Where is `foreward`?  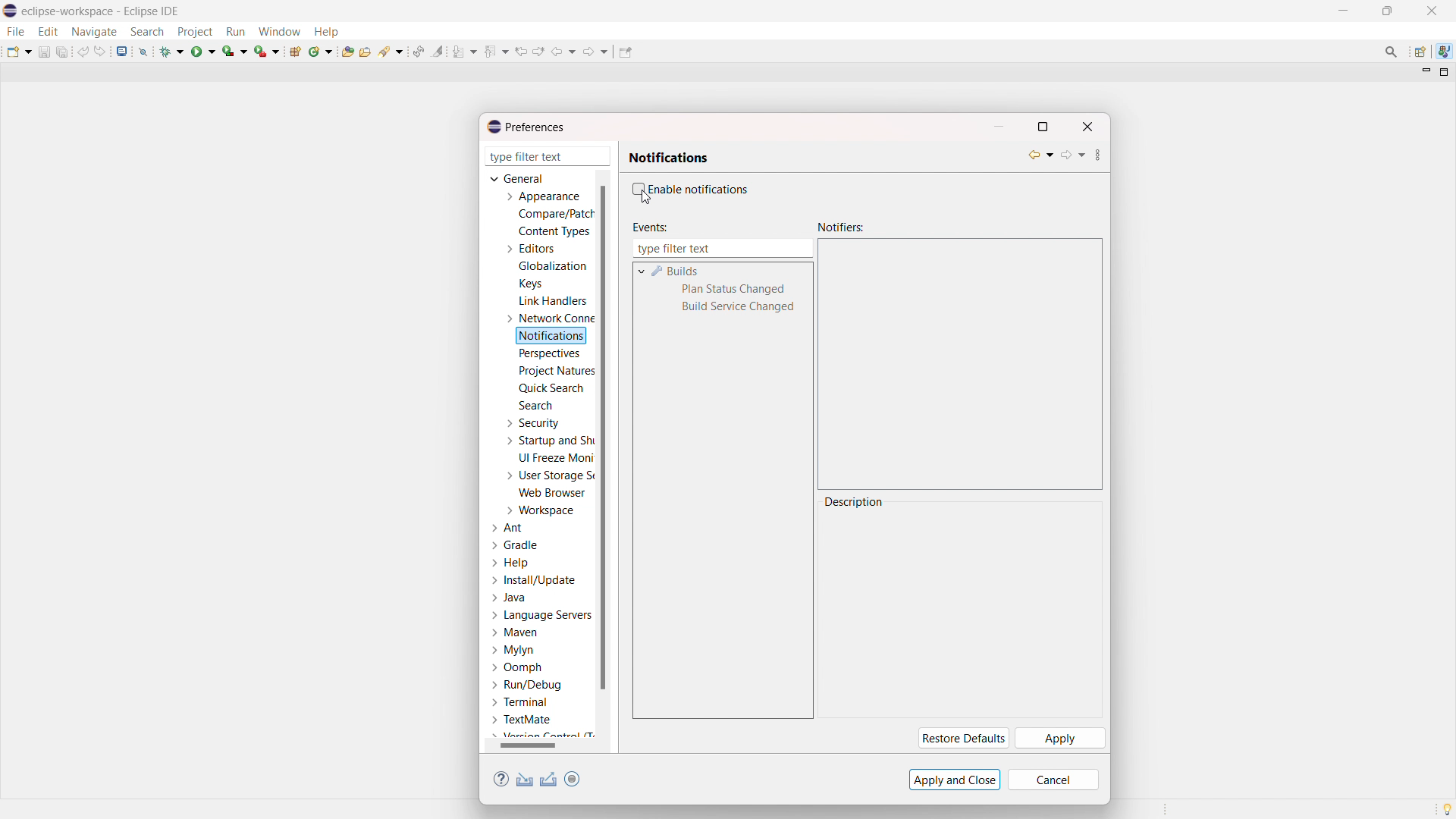 foreward is located at coordinates (596, 51).